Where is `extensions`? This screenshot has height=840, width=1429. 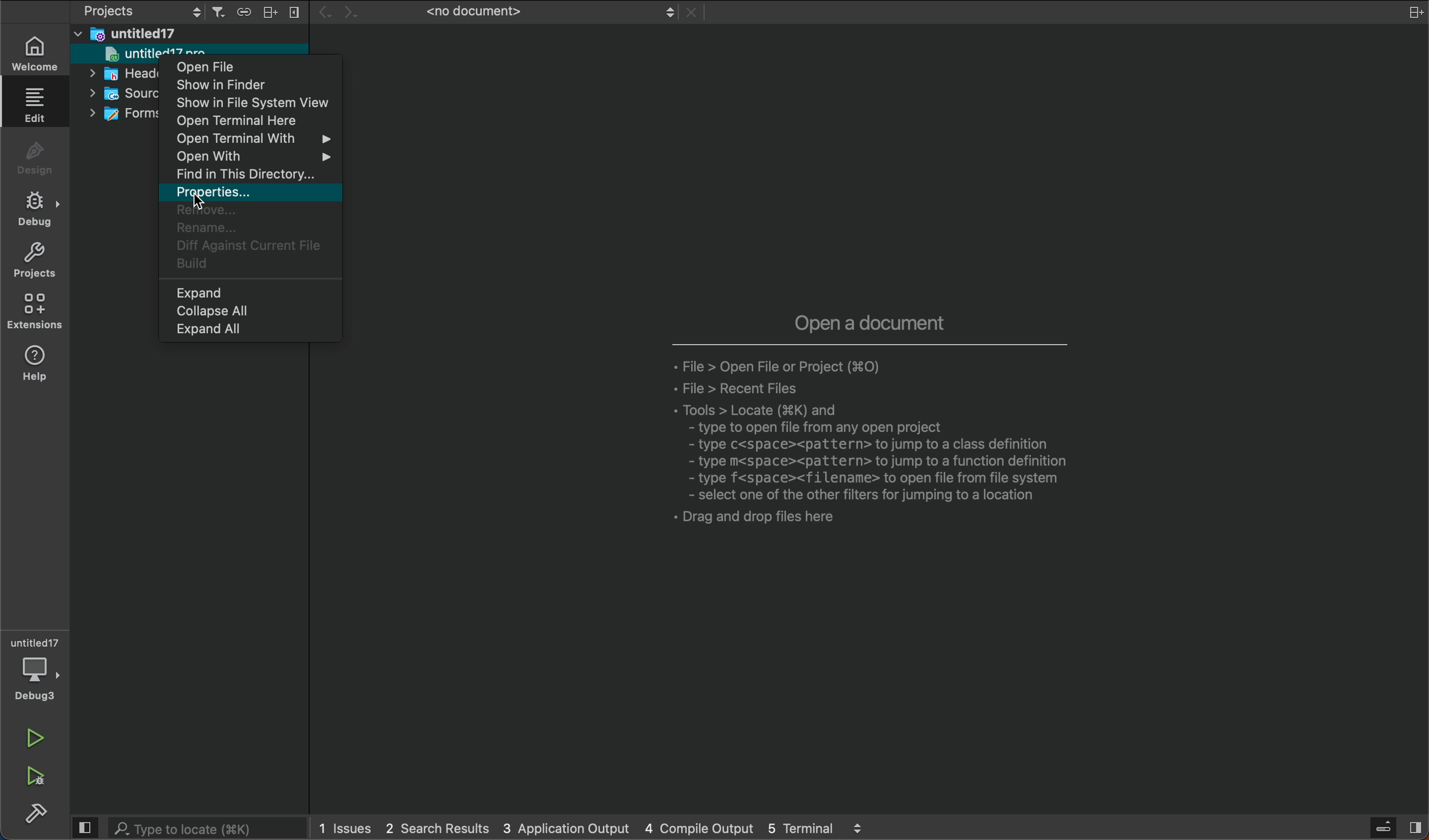 extensions is located at coordinates (37, 312).